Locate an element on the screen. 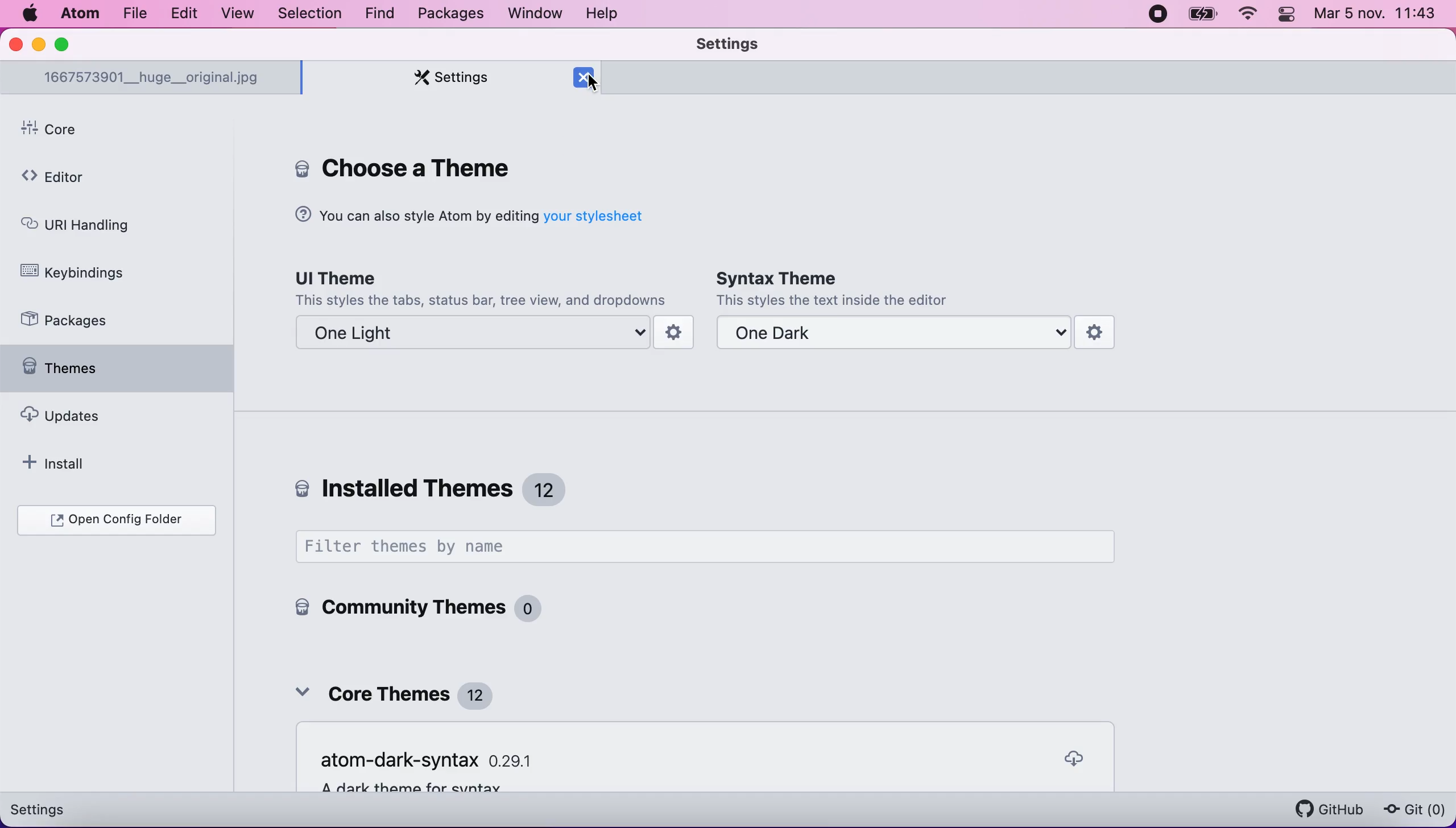 This screenshot has height=828, width=1456. close is located at coordinates (15, 46).